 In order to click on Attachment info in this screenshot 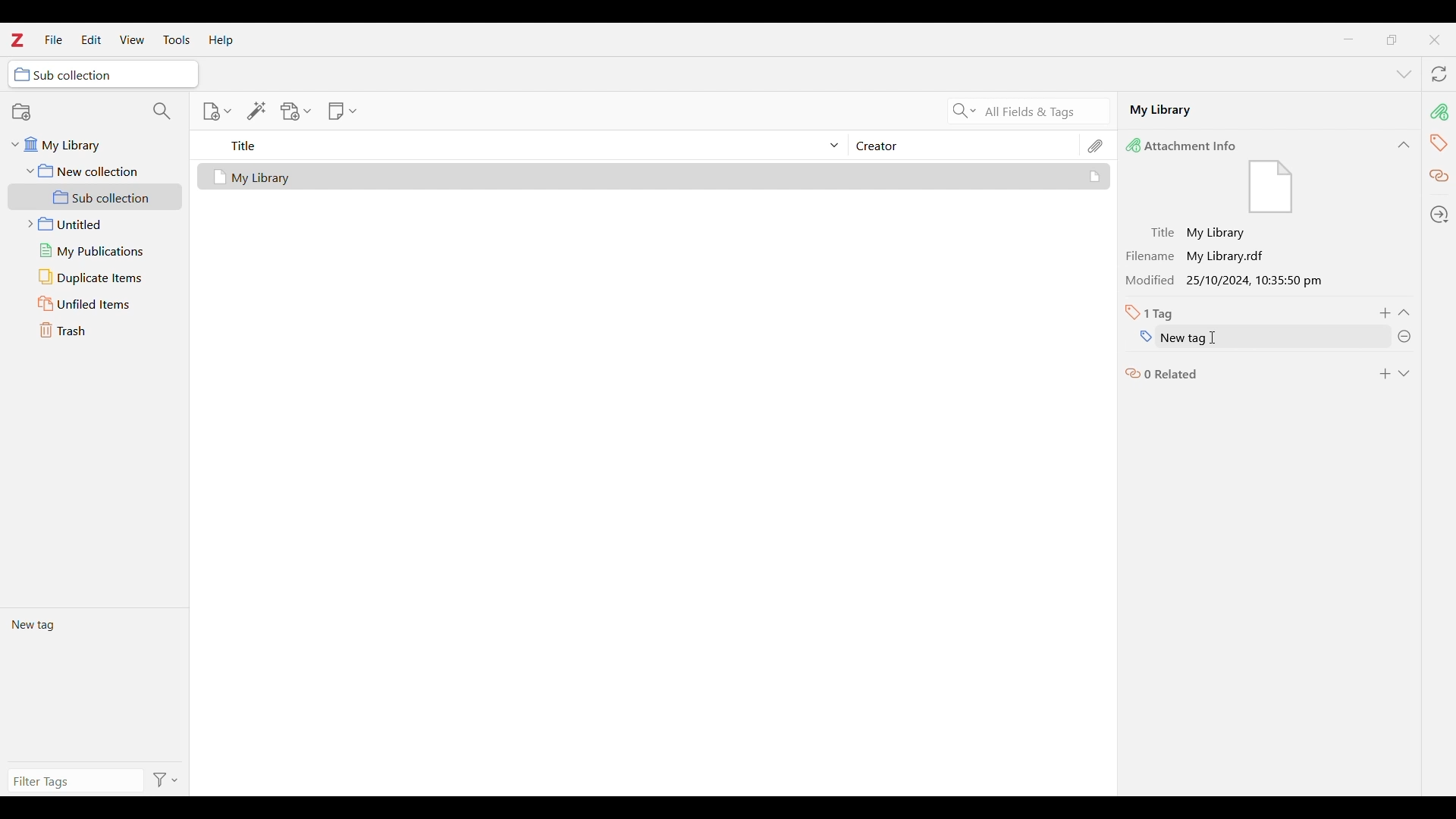, I will do `click(1440, 111)`.